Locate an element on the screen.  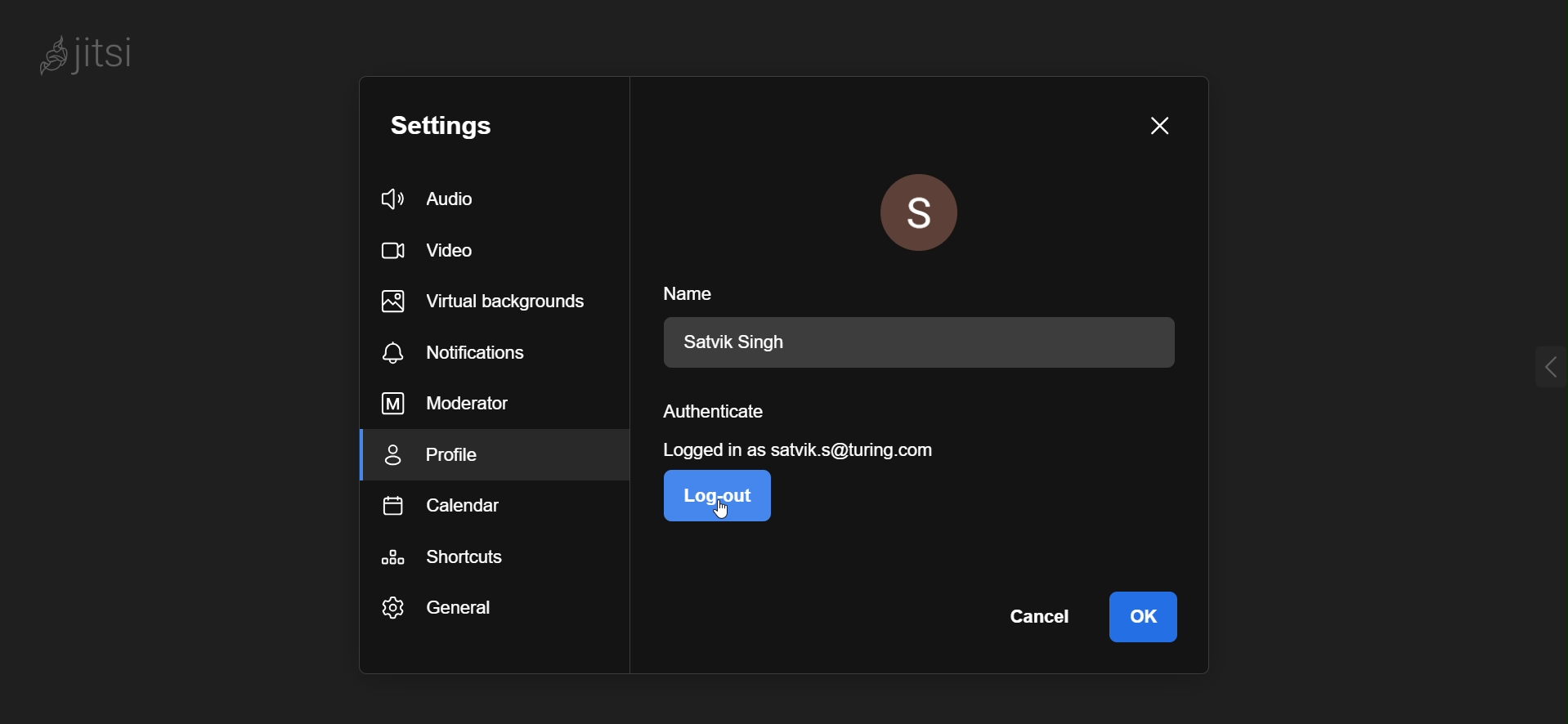
notiication is located at coordinates (467, 355).